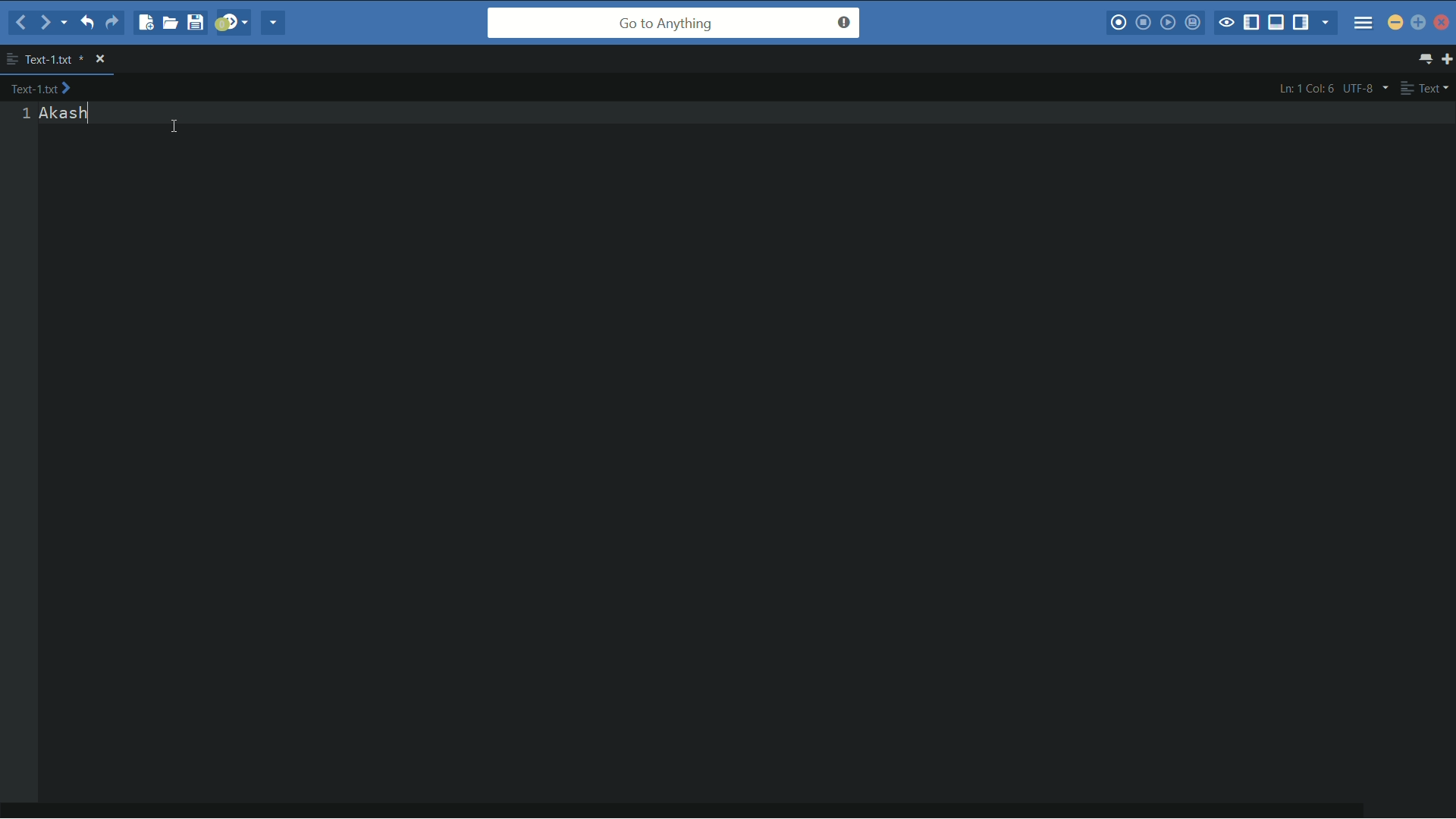 The height and width of the screenshot is (819, 1456). Describe the element at coordinates (1426, 58) in the screenshot. I see `show all tab` at that location.